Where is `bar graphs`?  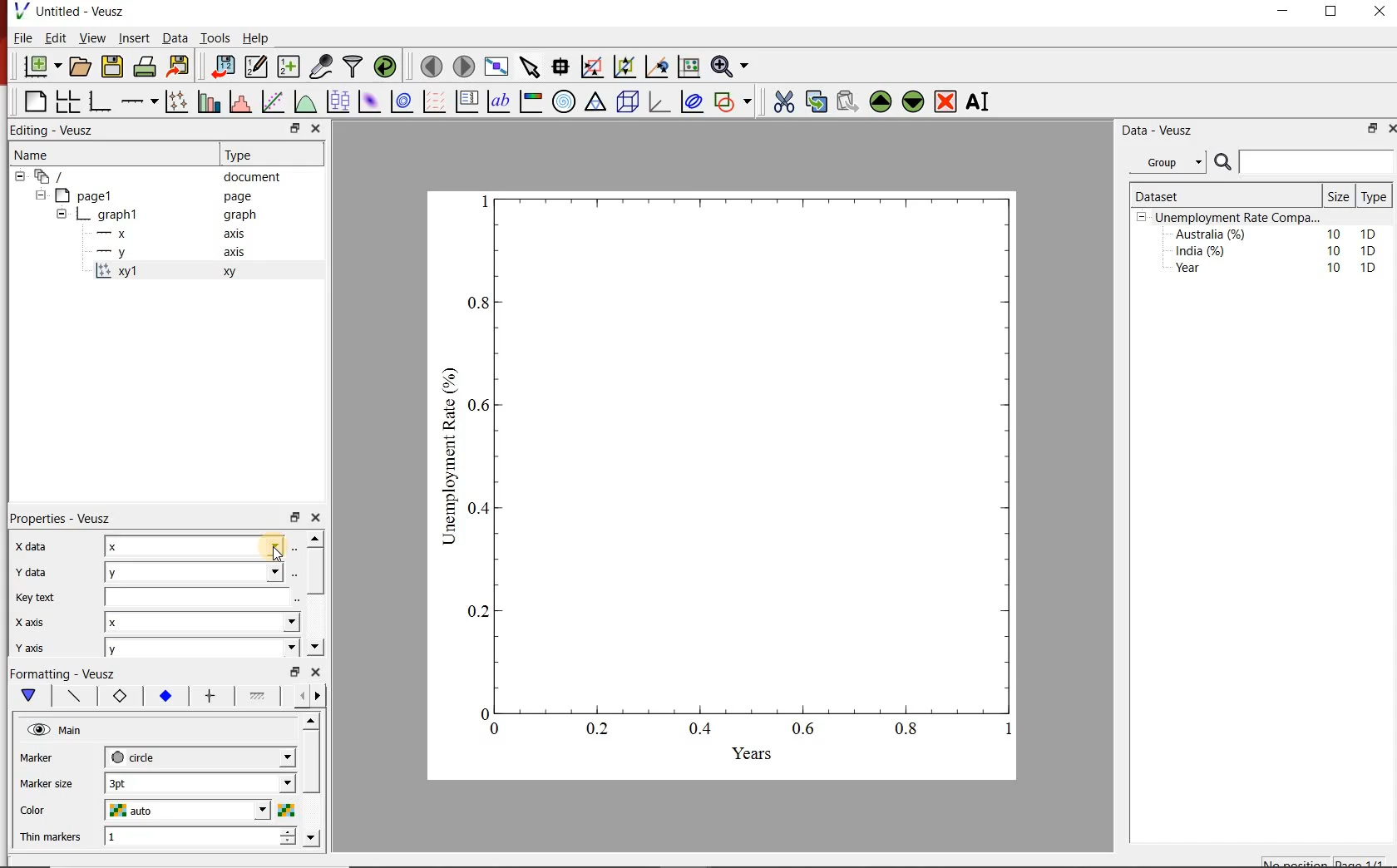
bar graphs is located at coordinates (207, 101).